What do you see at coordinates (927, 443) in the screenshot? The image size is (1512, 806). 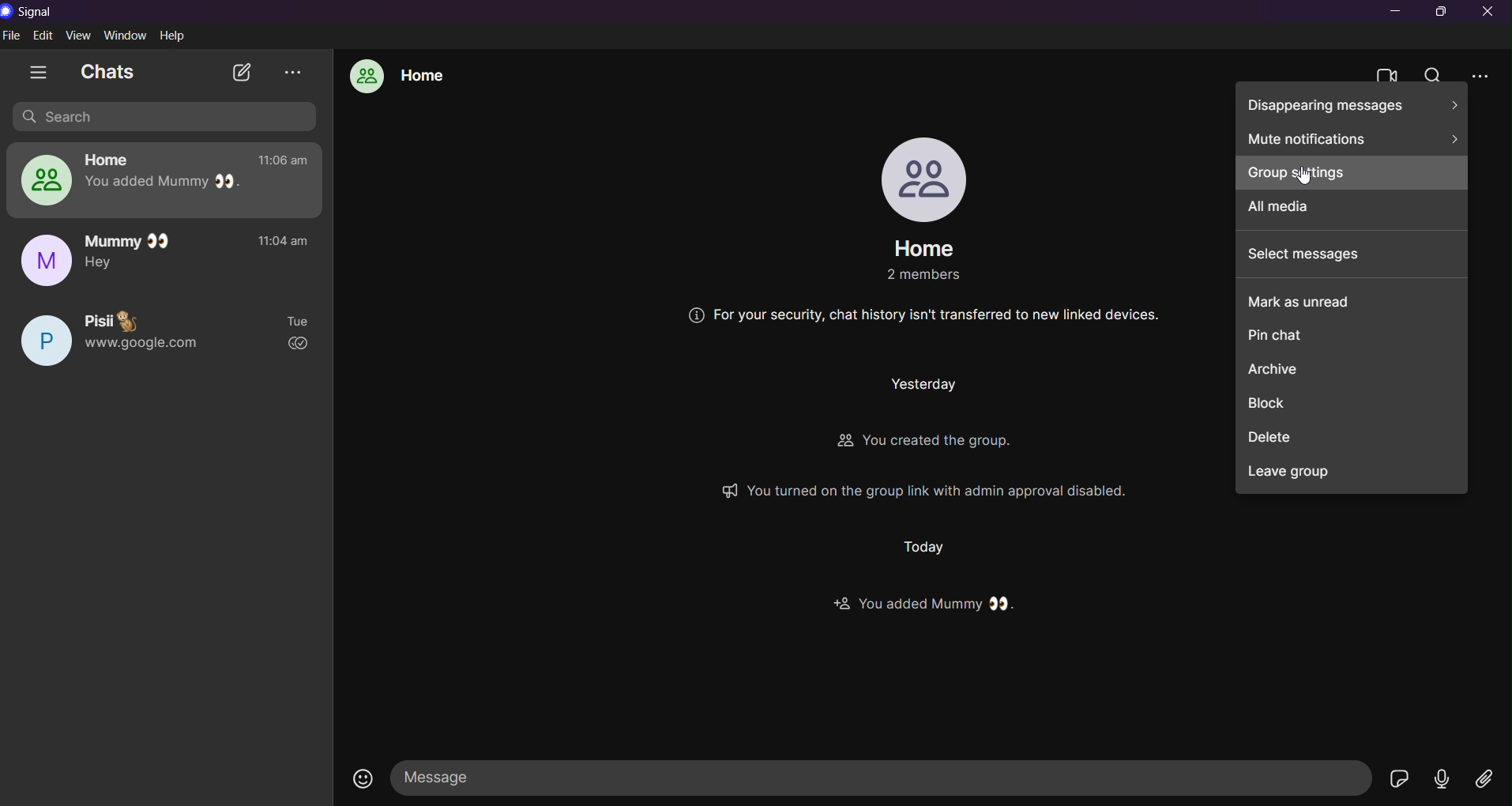 I see `You created the group.` at bounding box center [927, 443].